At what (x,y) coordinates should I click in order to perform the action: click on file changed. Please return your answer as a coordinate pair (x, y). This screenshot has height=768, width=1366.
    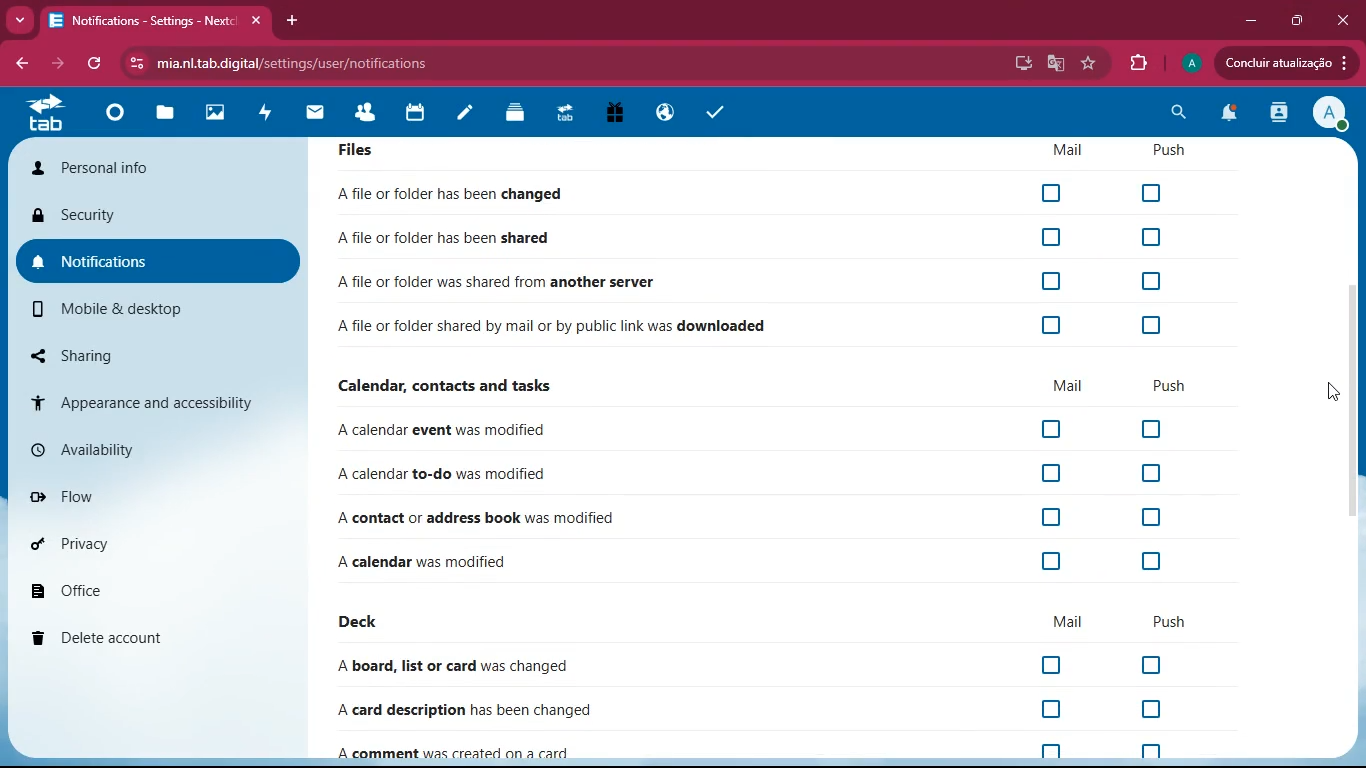
    Looking at the image, I should click on (457, 193).